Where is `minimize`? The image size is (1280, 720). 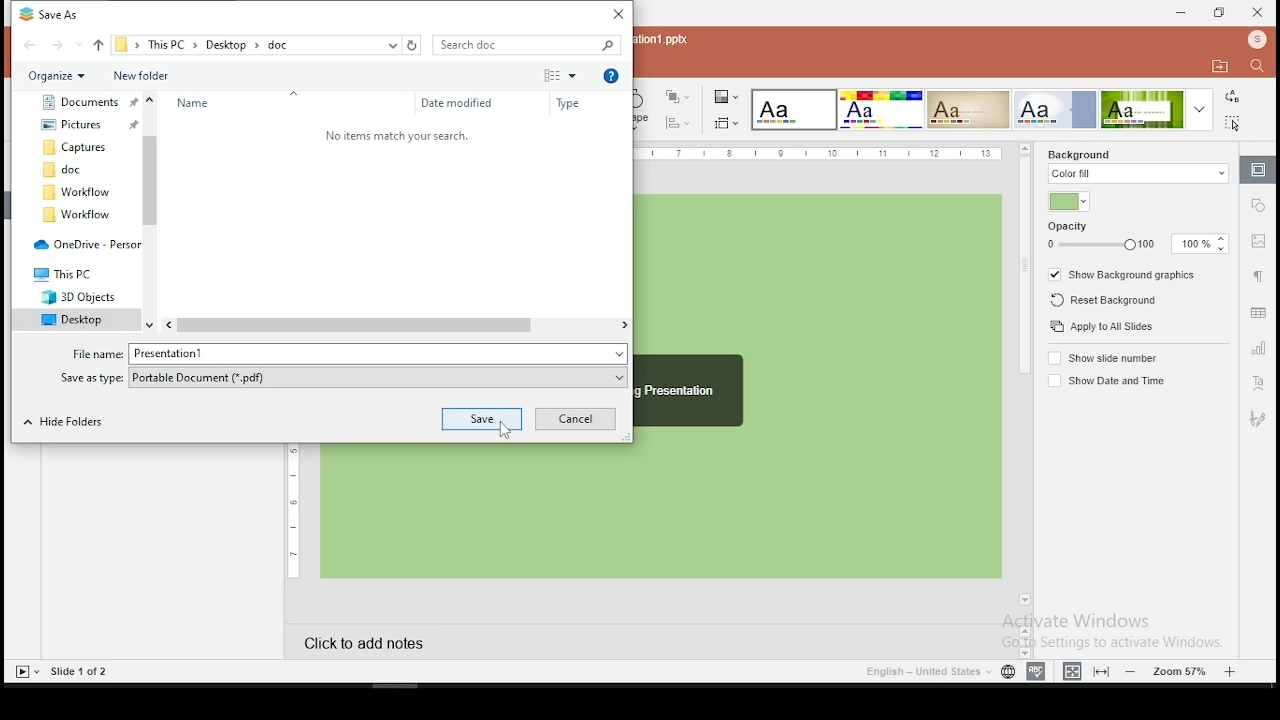
minimize is located at coordinates (1178, 12).